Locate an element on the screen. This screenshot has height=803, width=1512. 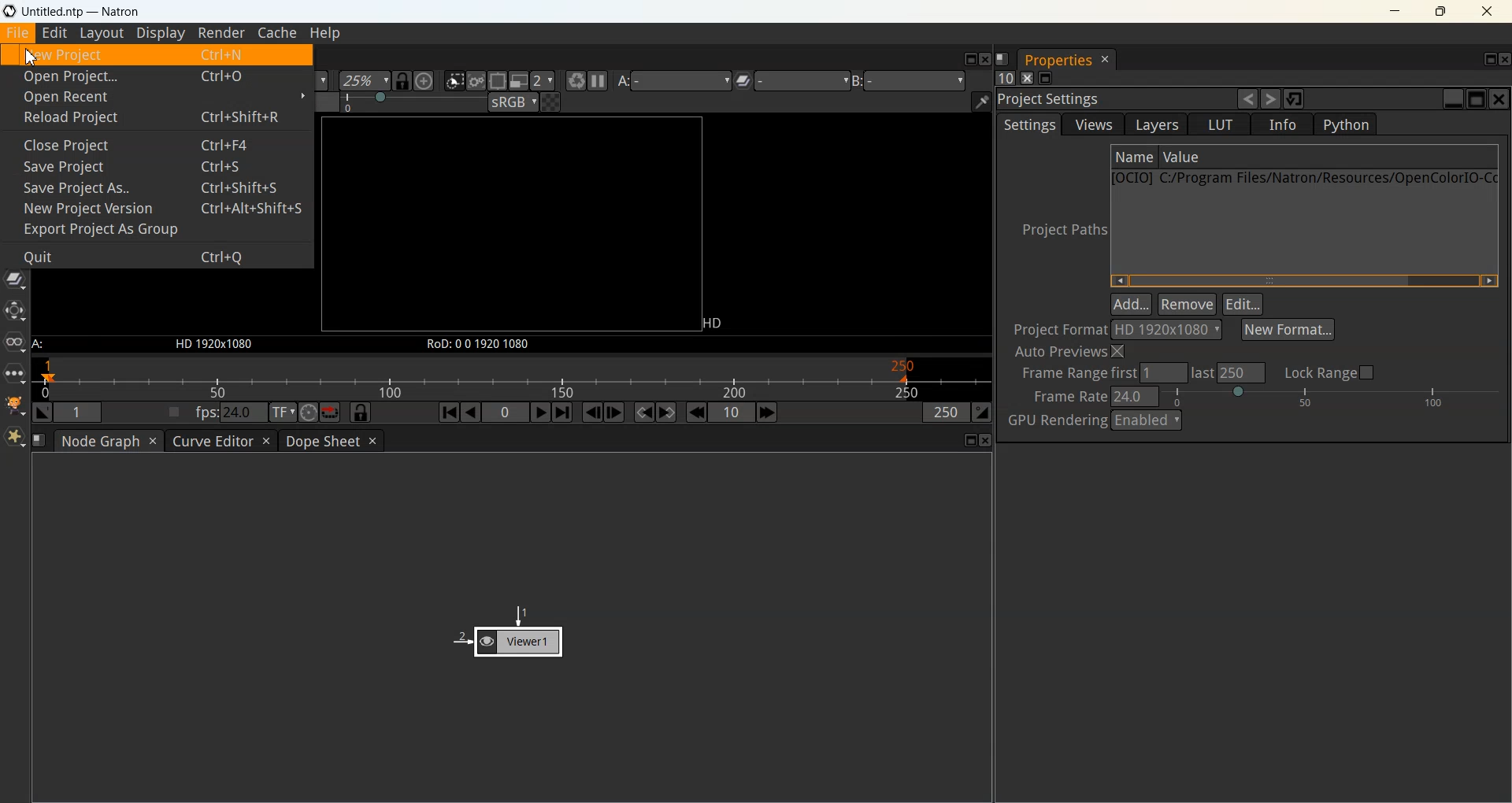
Current frame number is located at coordinates (506, 412).